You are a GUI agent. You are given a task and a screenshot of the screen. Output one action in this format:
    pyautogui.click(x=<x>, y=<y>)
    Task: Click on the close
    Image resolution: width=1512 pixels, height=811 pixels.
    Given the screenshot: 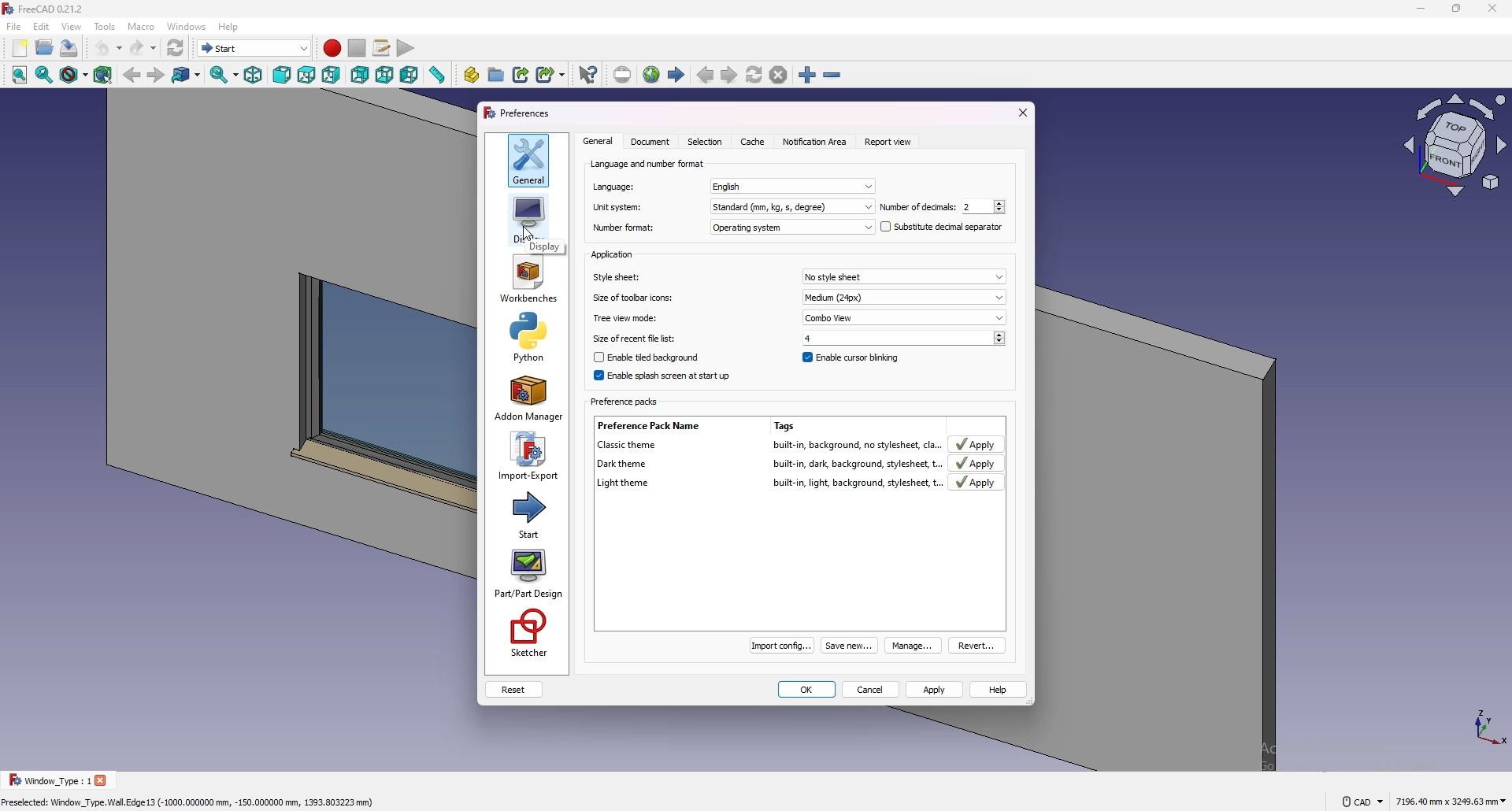 What is the action you would take?
    pyautogui.click(x=1492, y=9)
    